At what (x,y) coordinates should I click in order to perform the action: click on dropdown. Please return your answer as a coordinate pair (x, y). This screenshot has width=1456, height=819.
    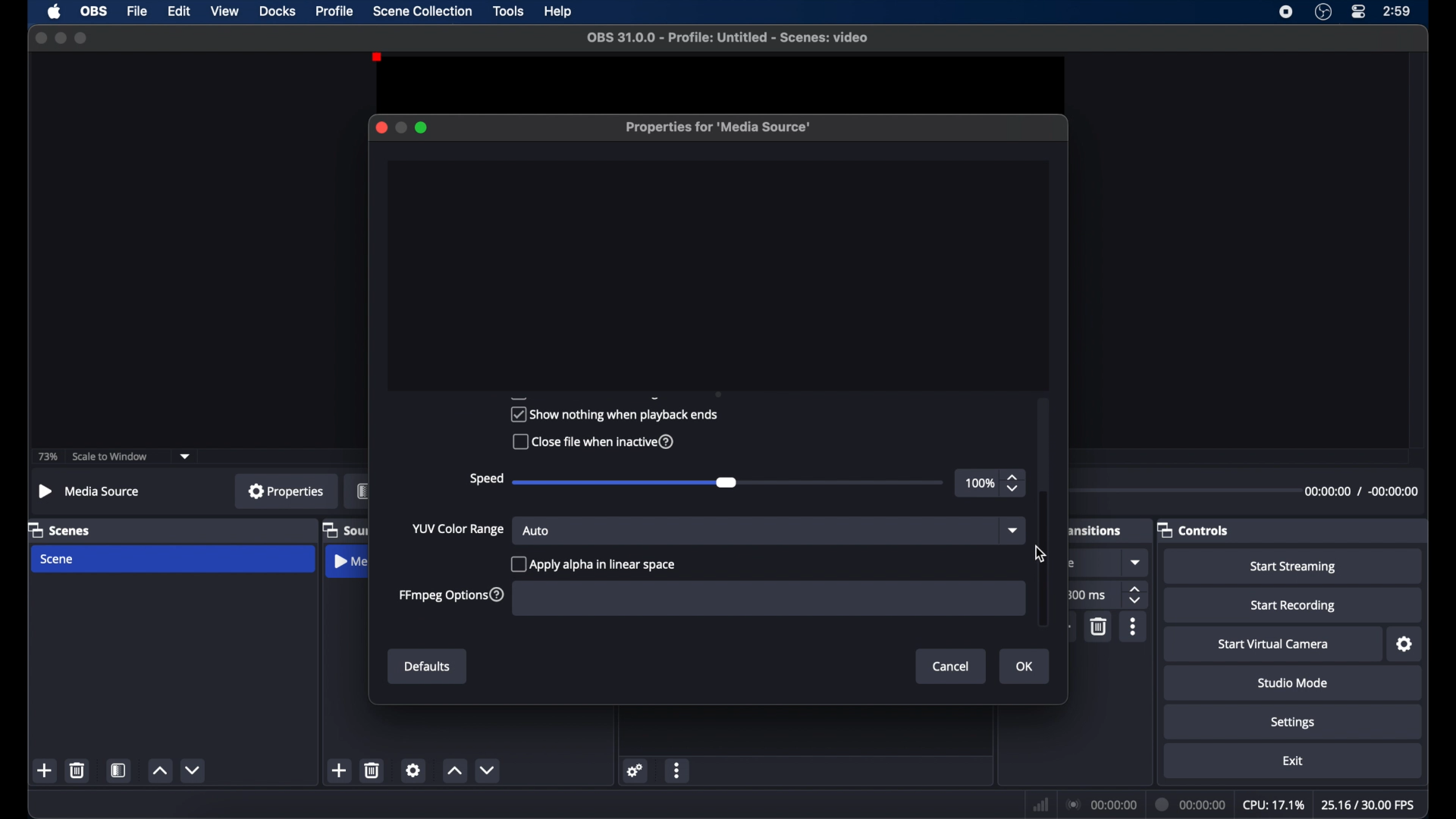
    Looking at the image, I should click on (1015, 532).